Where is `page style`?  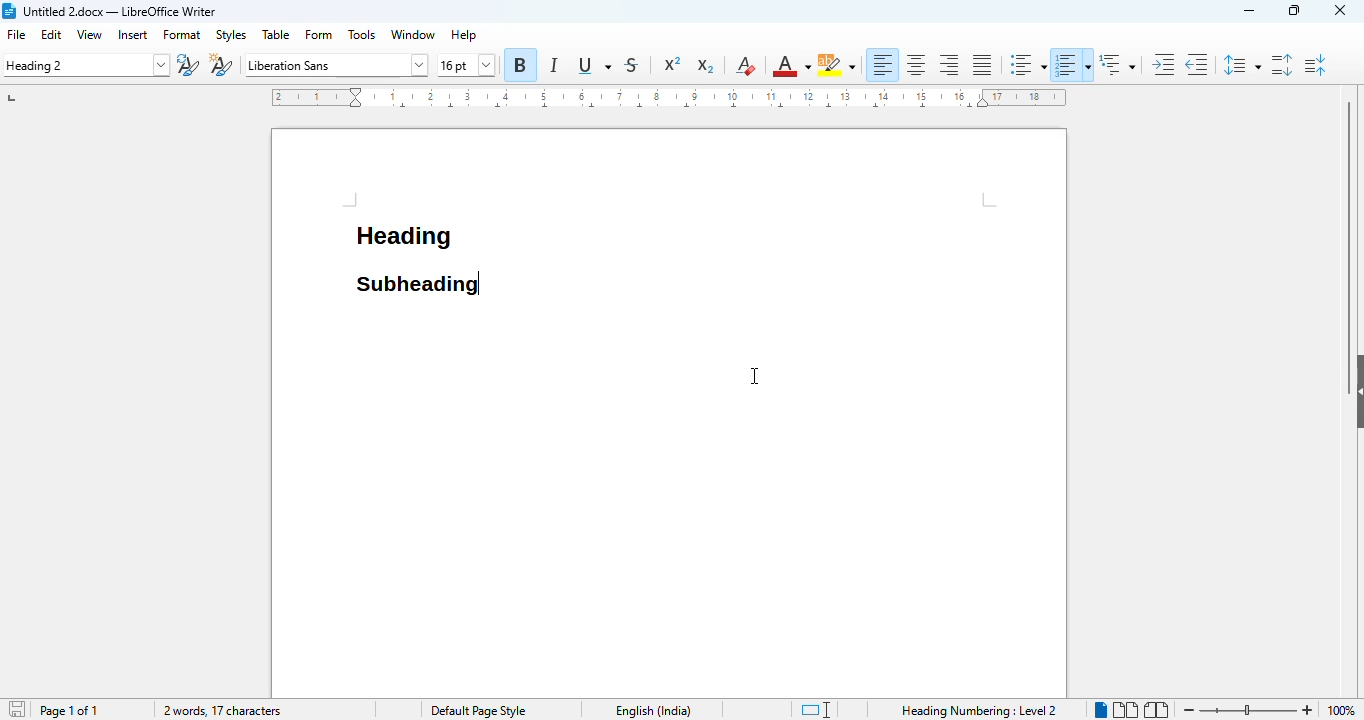 page style is located at coordinates (479, 710).